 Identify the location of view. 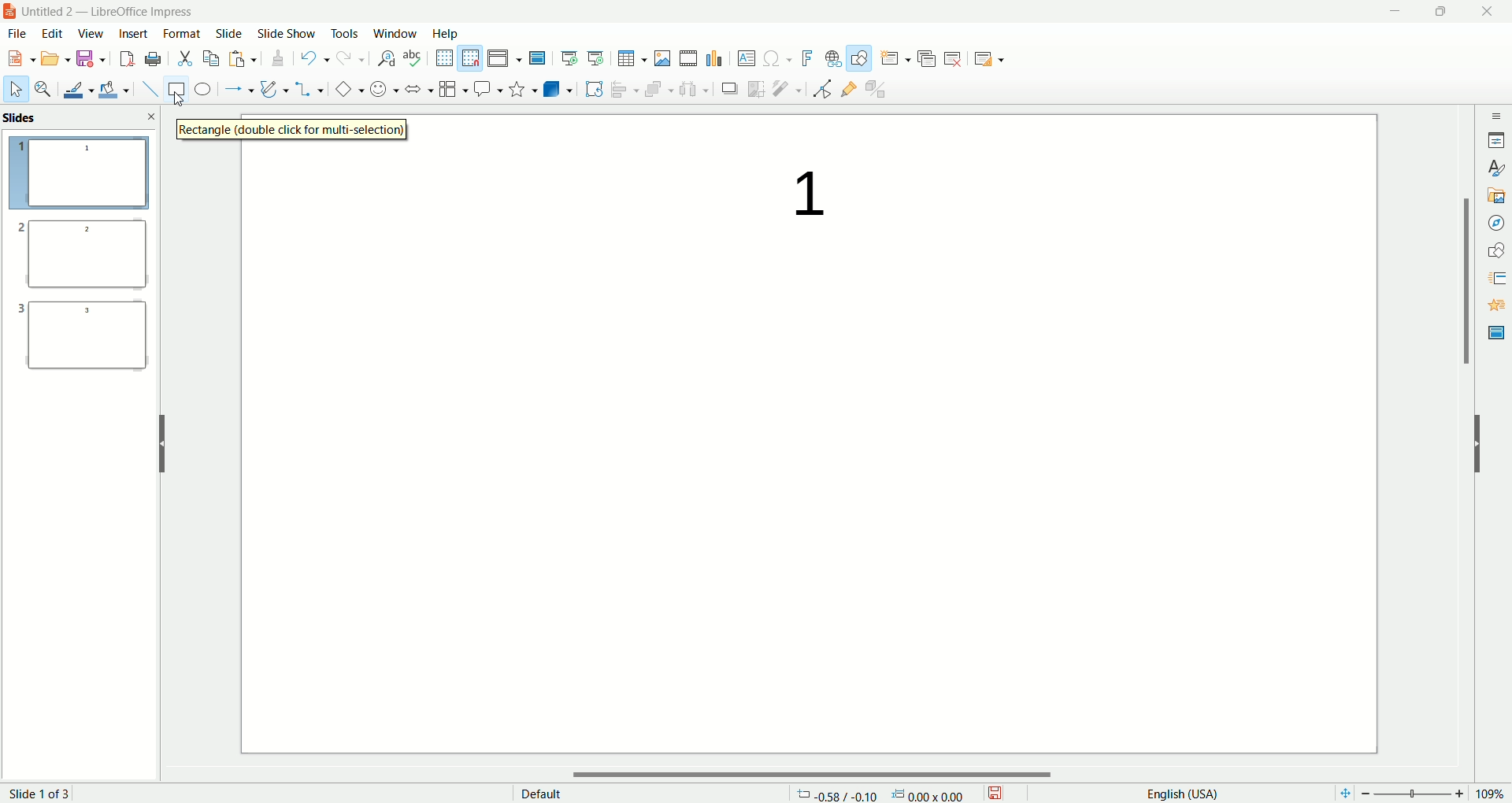
(88, 35).